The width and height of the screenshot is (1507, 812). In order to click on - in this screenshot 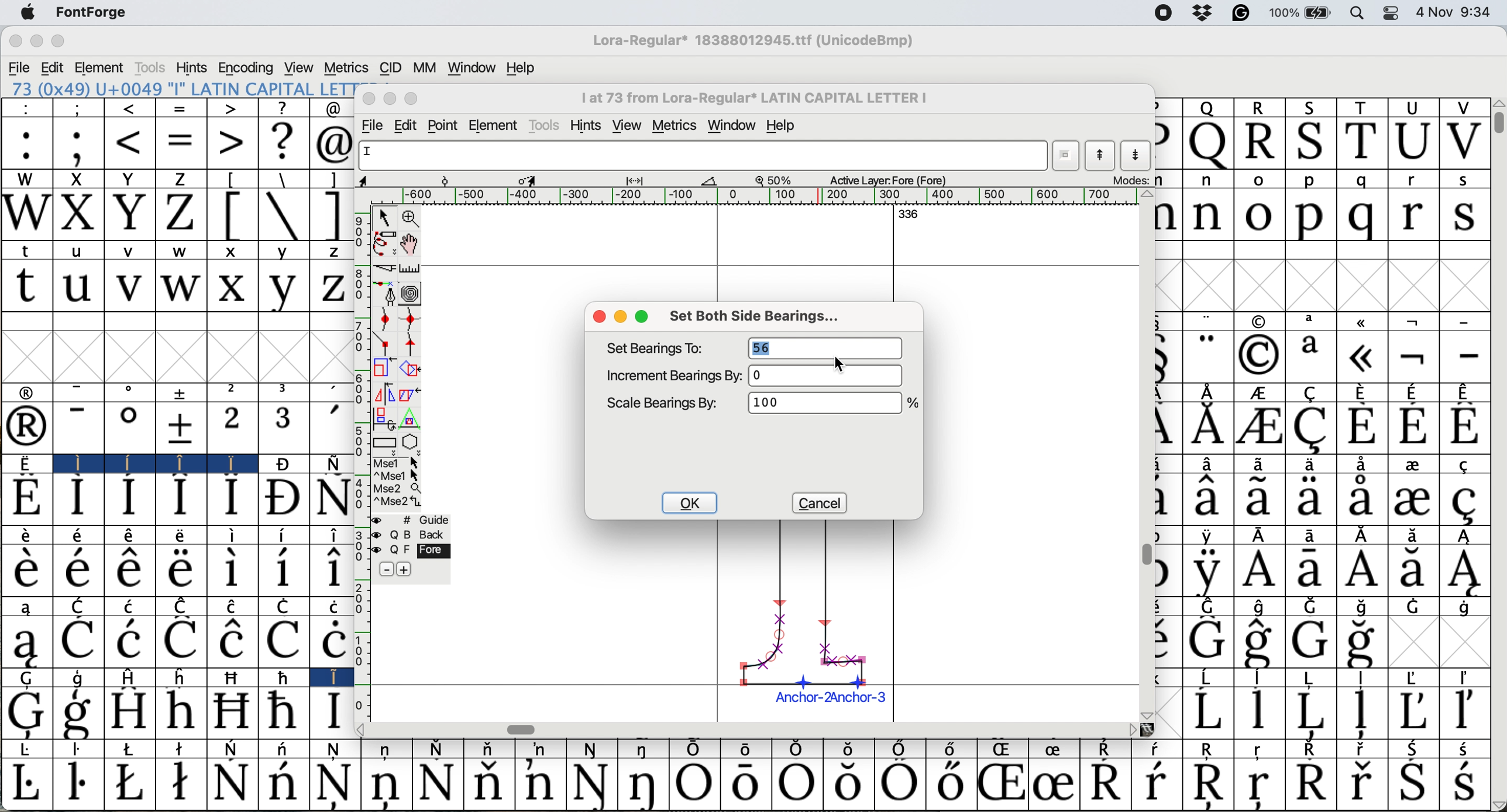, I will do `click(80, 391)`.